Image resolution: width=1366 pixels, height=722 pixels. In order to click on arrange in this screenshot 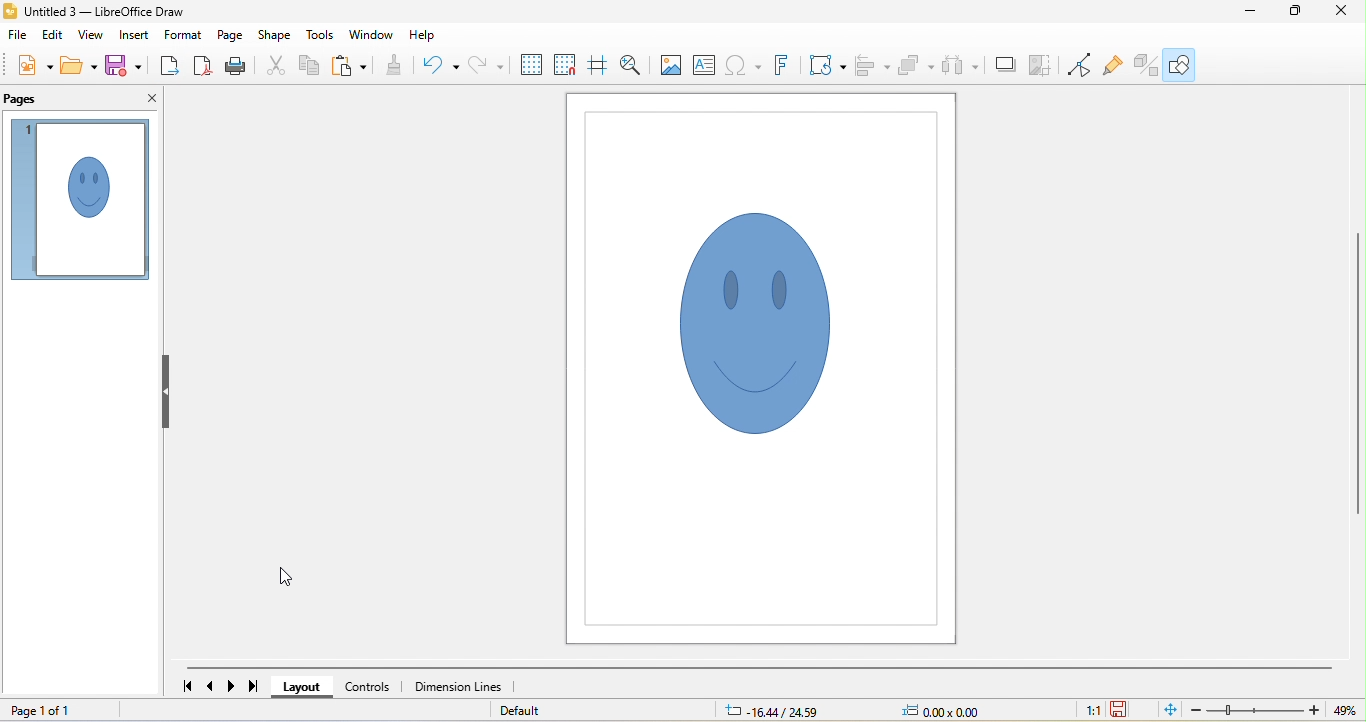, I will do `click(914, 66)`.